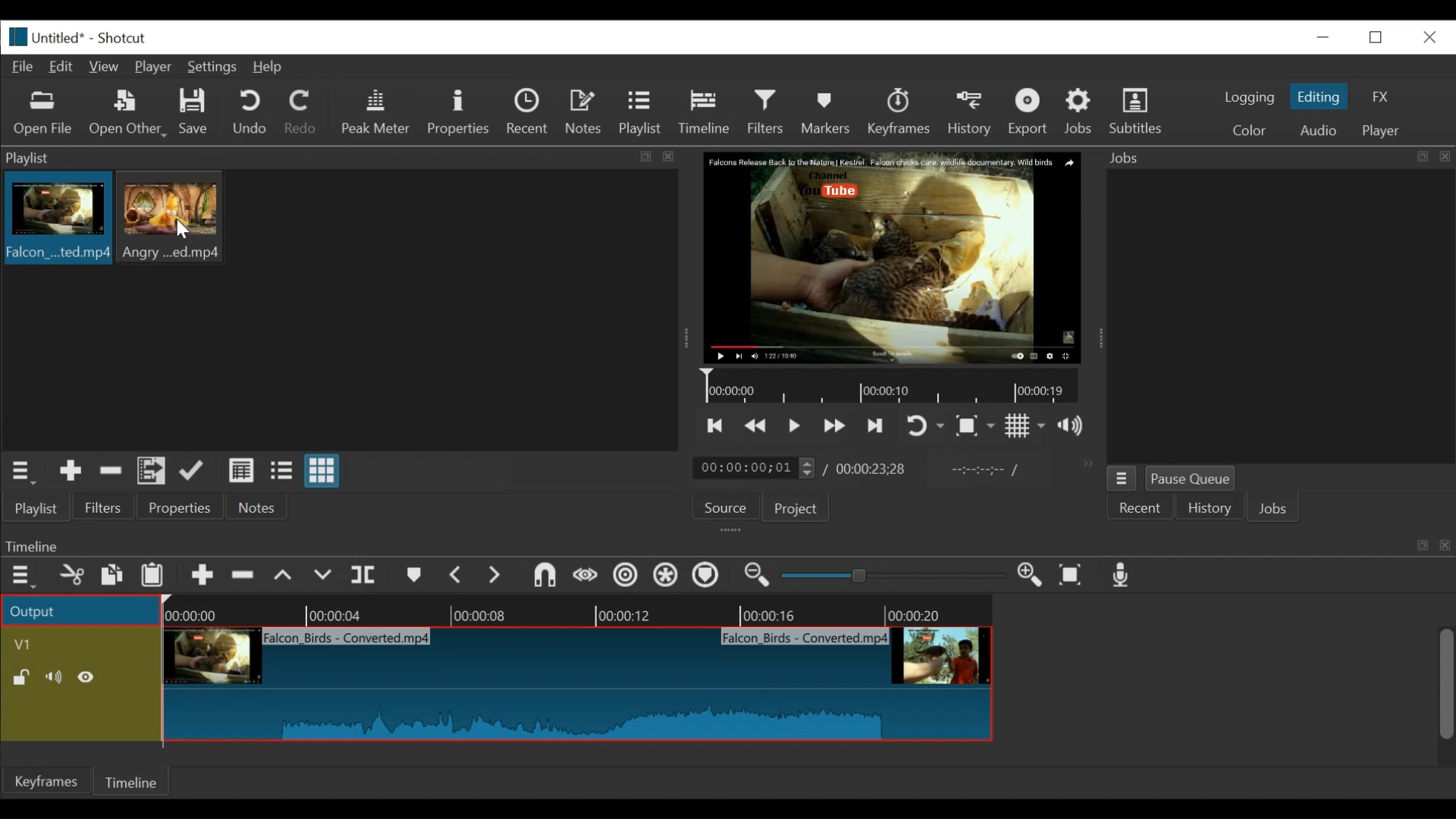 This screenshot has width=1456, height=819. I want to click on (un)lock track, so click(21, 677).